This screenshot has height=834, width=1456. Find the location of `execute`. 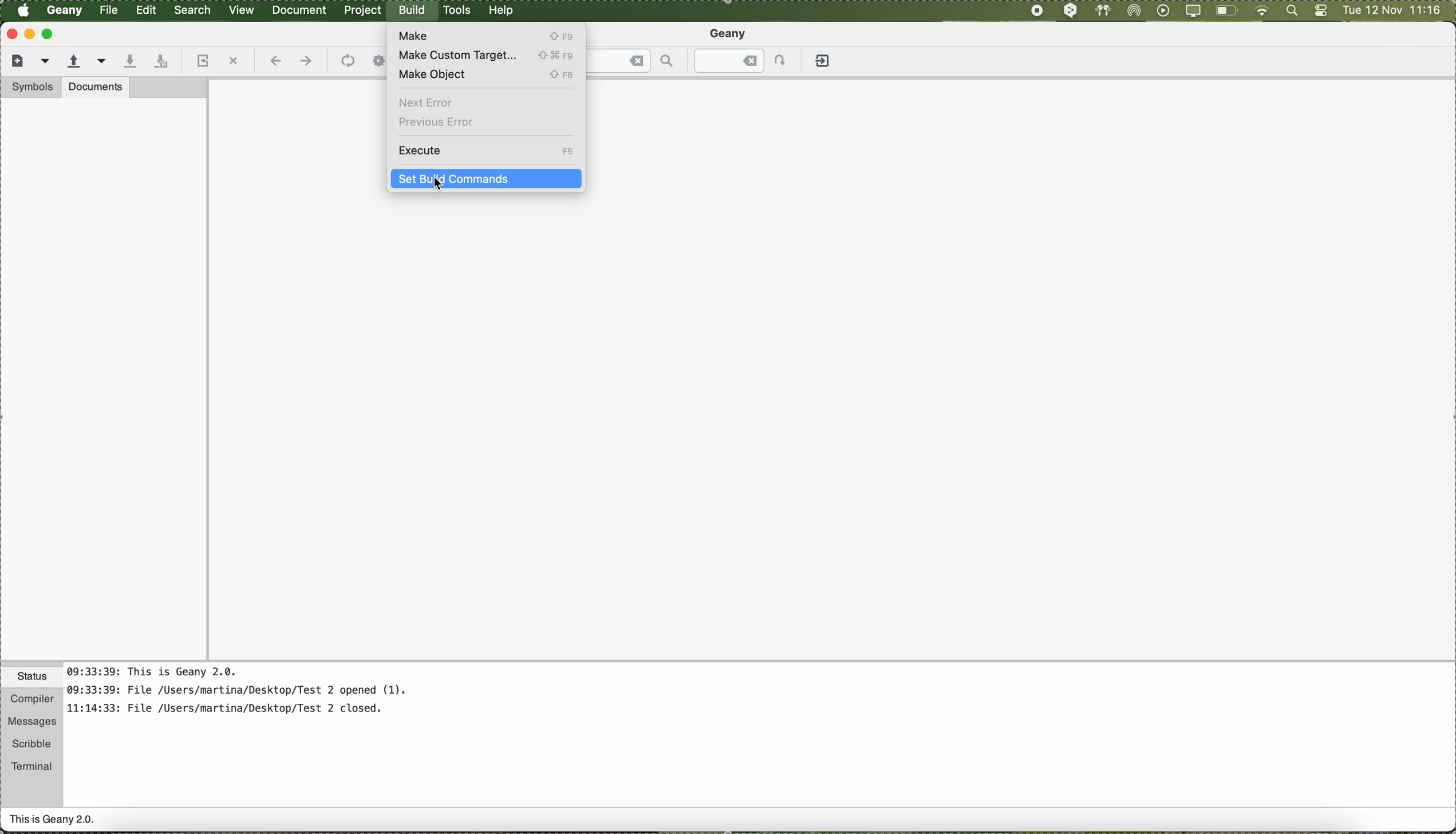

execute is located at coordinates (486, 151).